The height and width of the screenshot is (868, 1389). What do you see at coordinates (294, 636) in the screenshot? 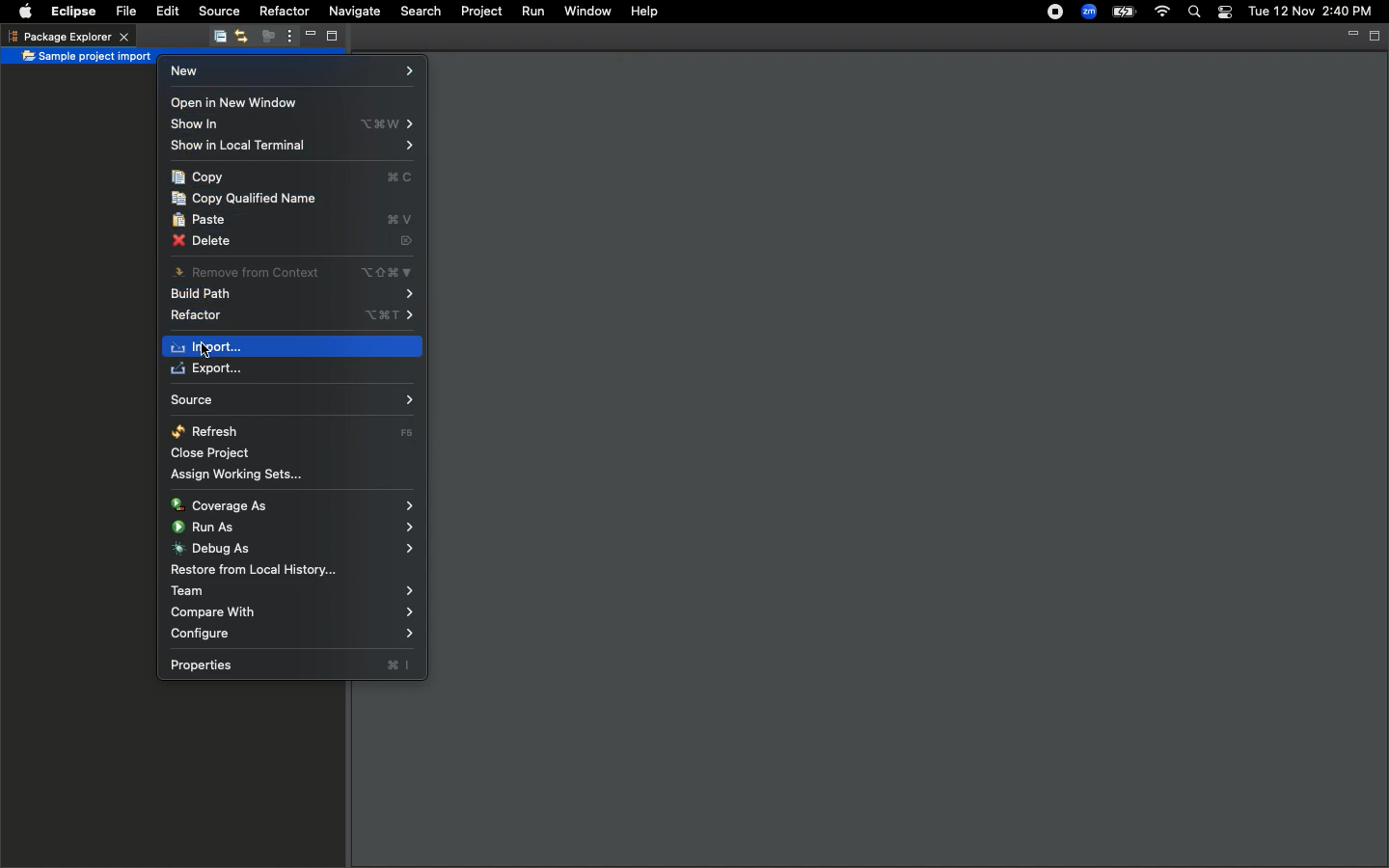
I see `Configure` at bounding box center [294, 636].